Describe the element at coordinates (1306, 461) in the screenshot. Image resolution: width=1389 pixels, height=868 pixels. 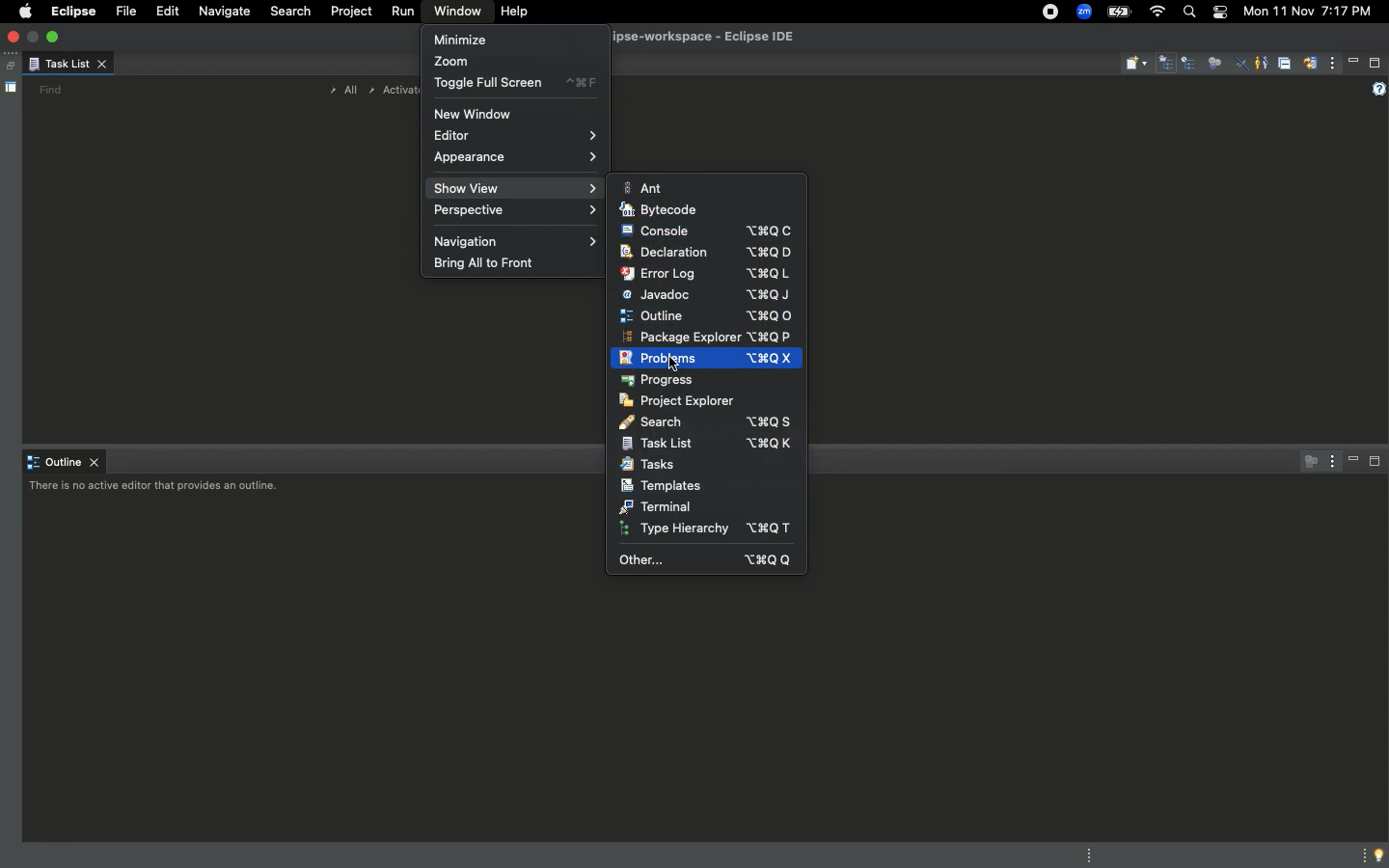
I see `Focus on active tasks` at that location.